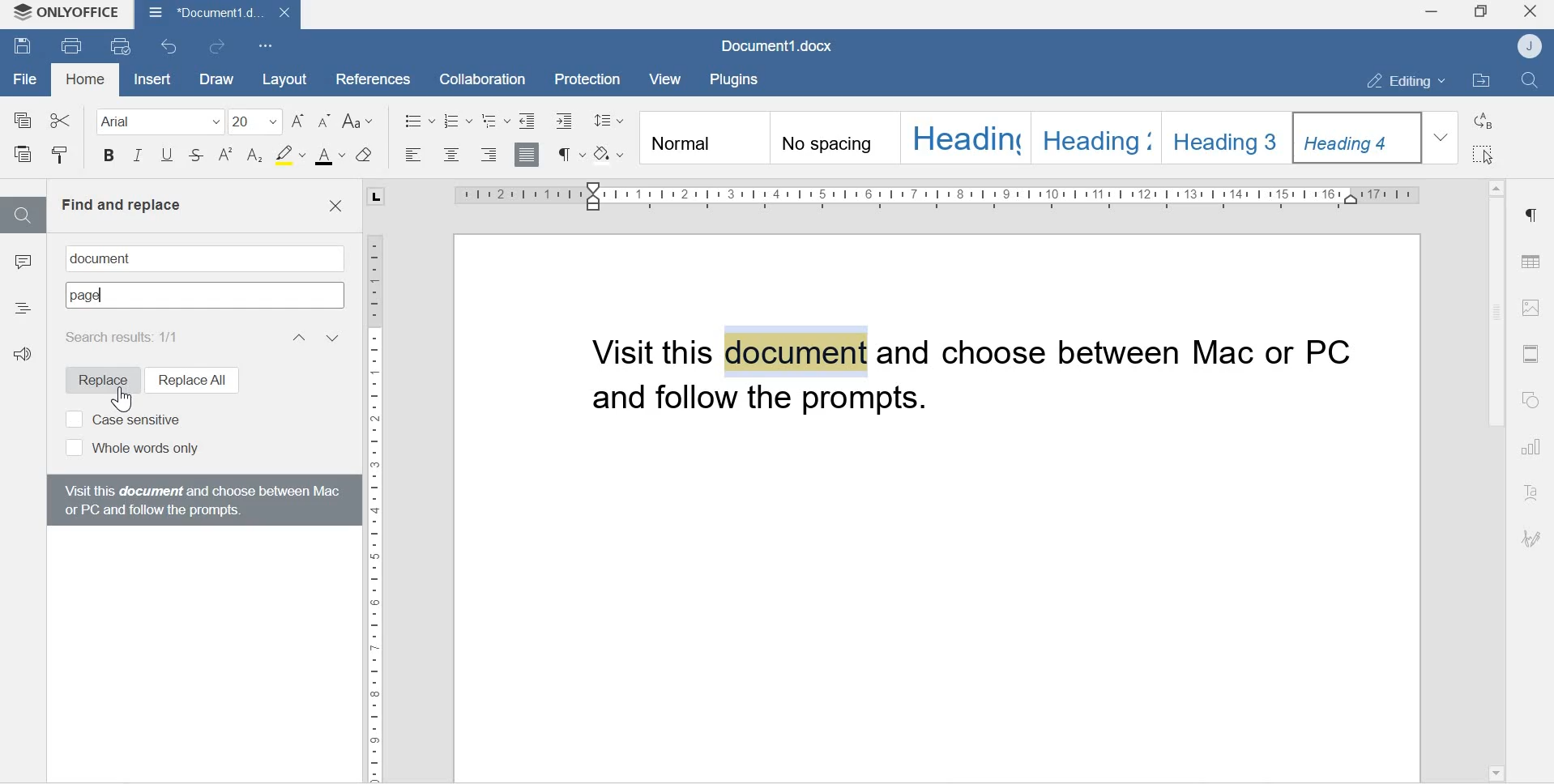 Image resolution: width=1554 pixels, height=784 pixels. What do you see at coordinates (257, 121) in the screenshot?
I see `Font size` at bounding box center [257, 121].